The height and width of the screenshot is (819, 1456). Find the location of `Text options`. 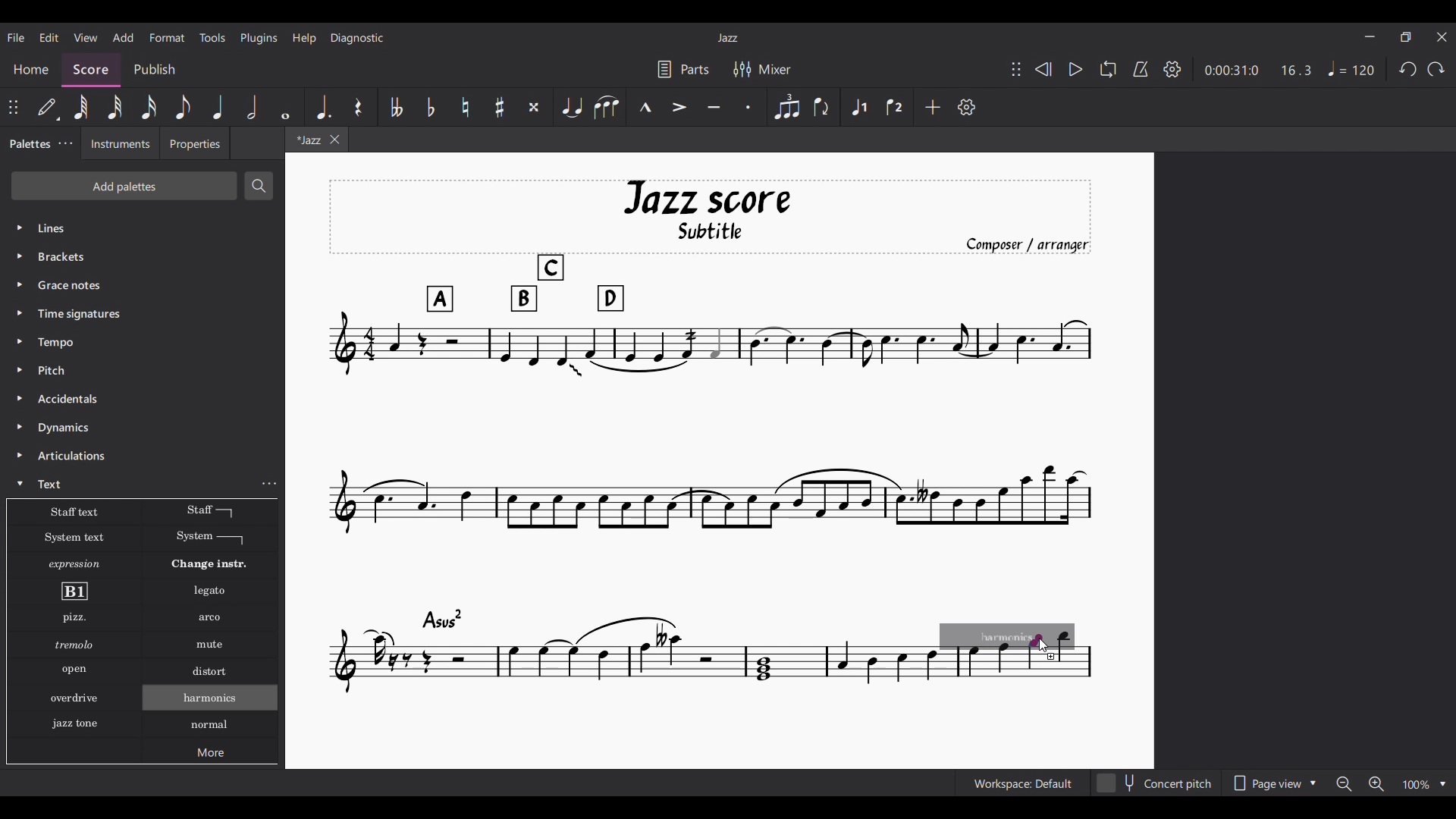

Text options is located at coordinates (72, 512).